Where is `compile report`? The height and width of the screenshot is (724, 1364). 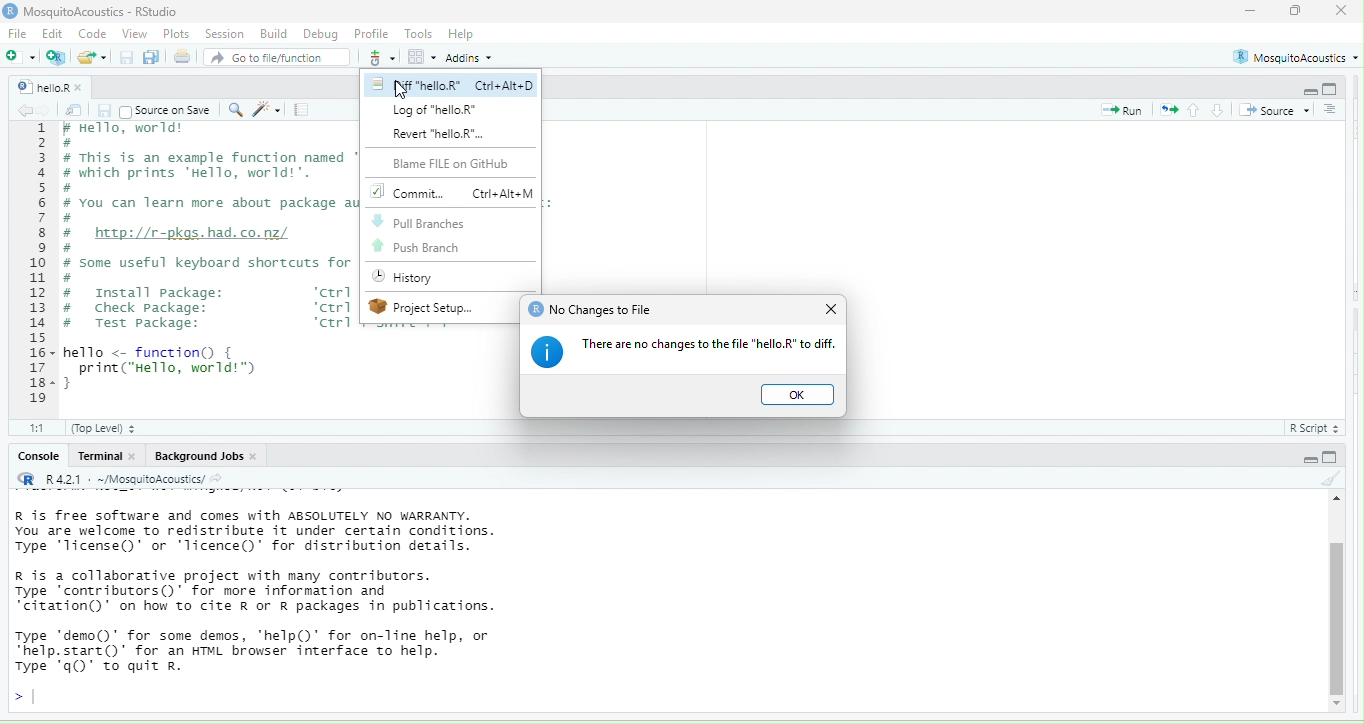 compile report is located at coordinates (302, 110).